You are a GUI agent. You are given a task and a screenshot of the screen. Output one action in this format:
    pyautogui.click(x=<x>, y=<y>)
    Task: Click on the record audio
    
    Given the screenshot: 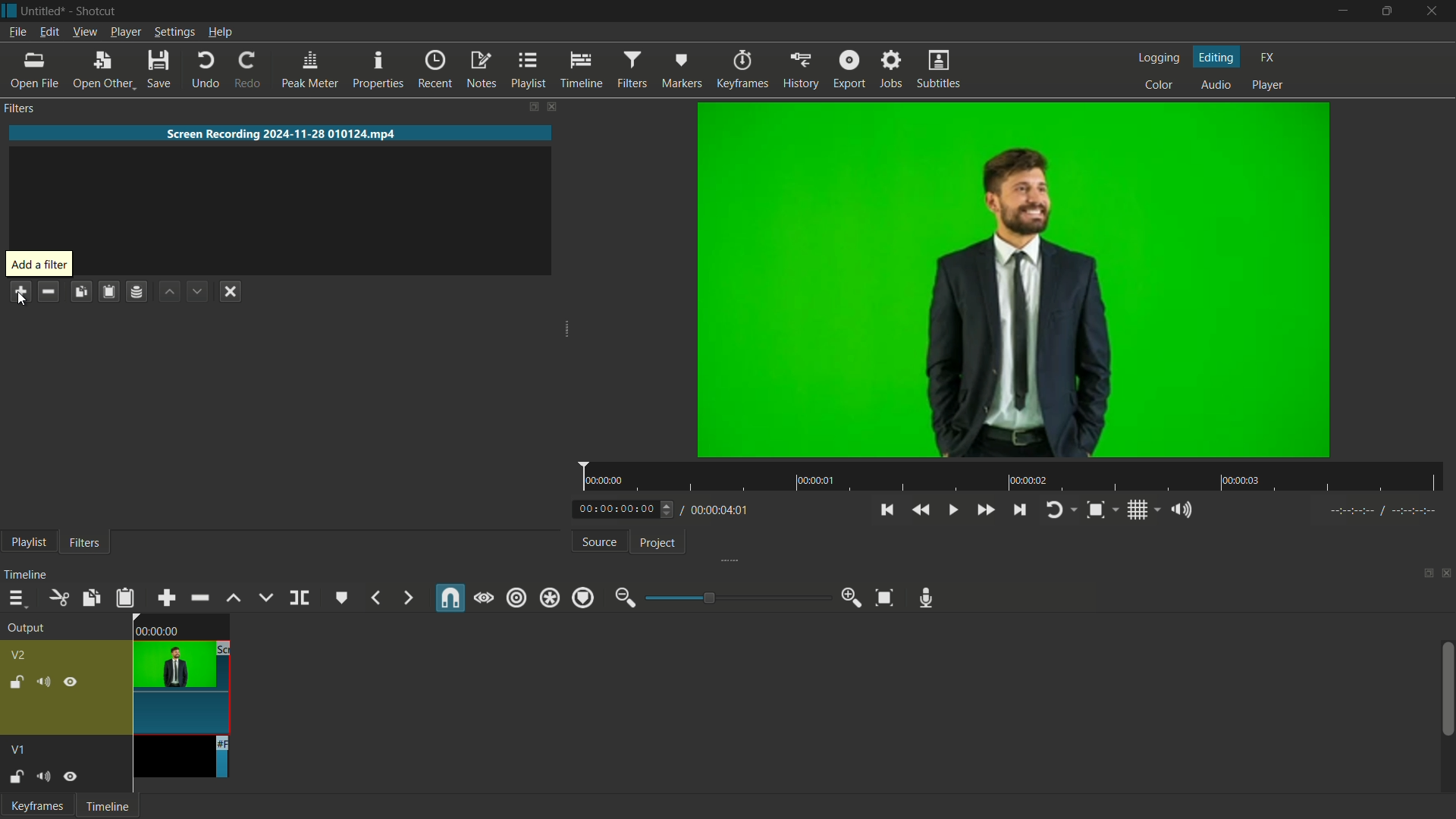 What is the action you would take?
    pyautogui.click(x=929, y=598)
    